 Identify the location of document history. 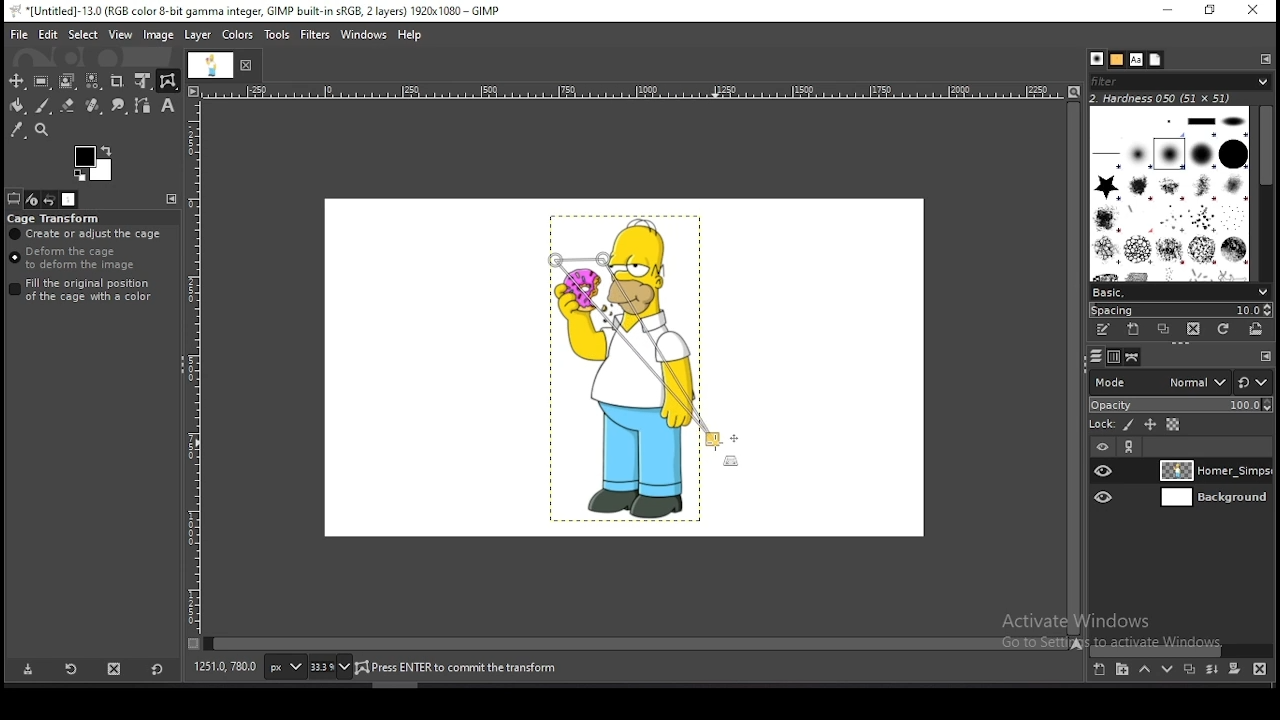
(1155, 60).